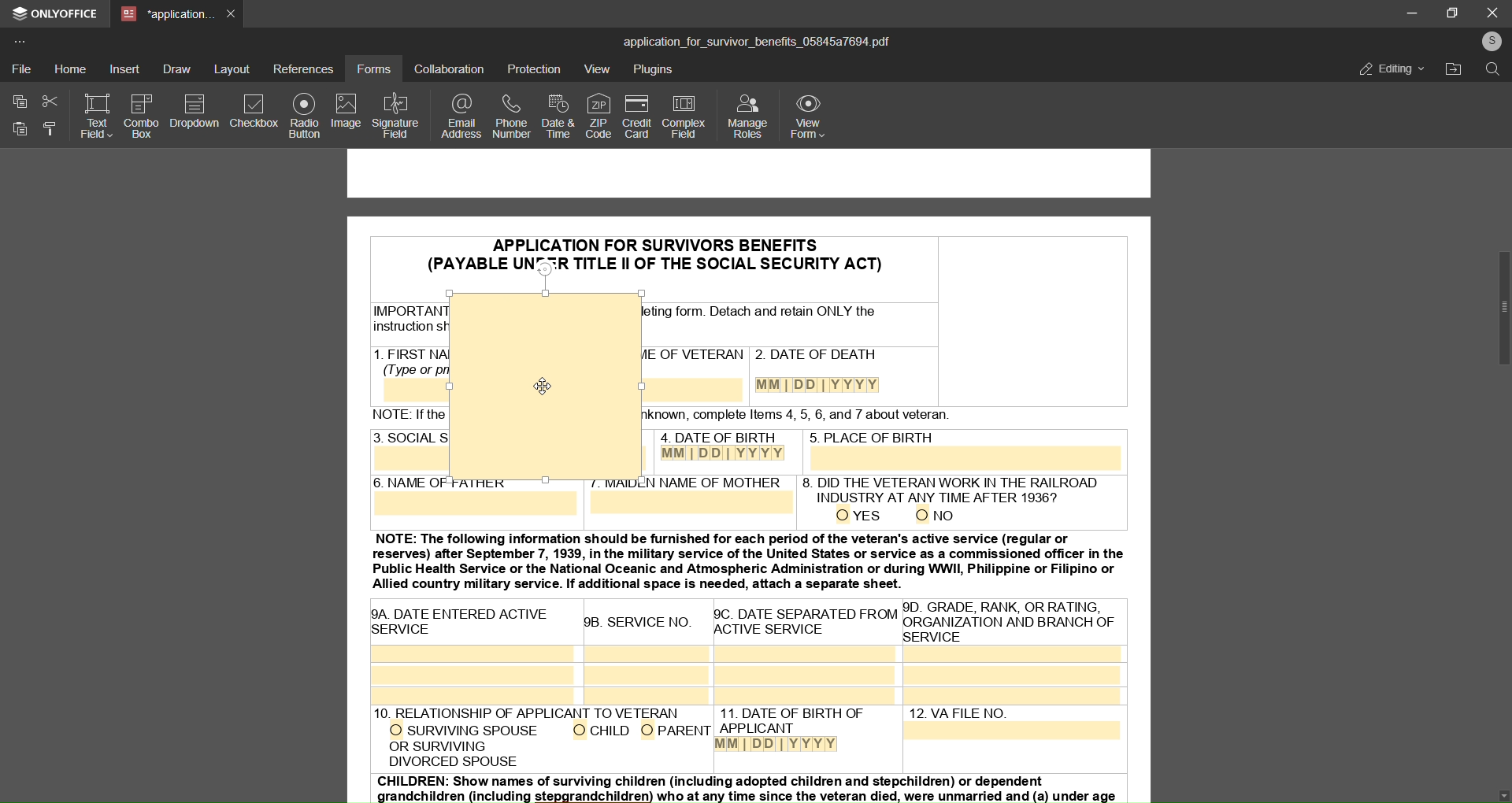  Describe the element at coordinates (1407, 13) in the screenshot. I see `minimize` at that location.